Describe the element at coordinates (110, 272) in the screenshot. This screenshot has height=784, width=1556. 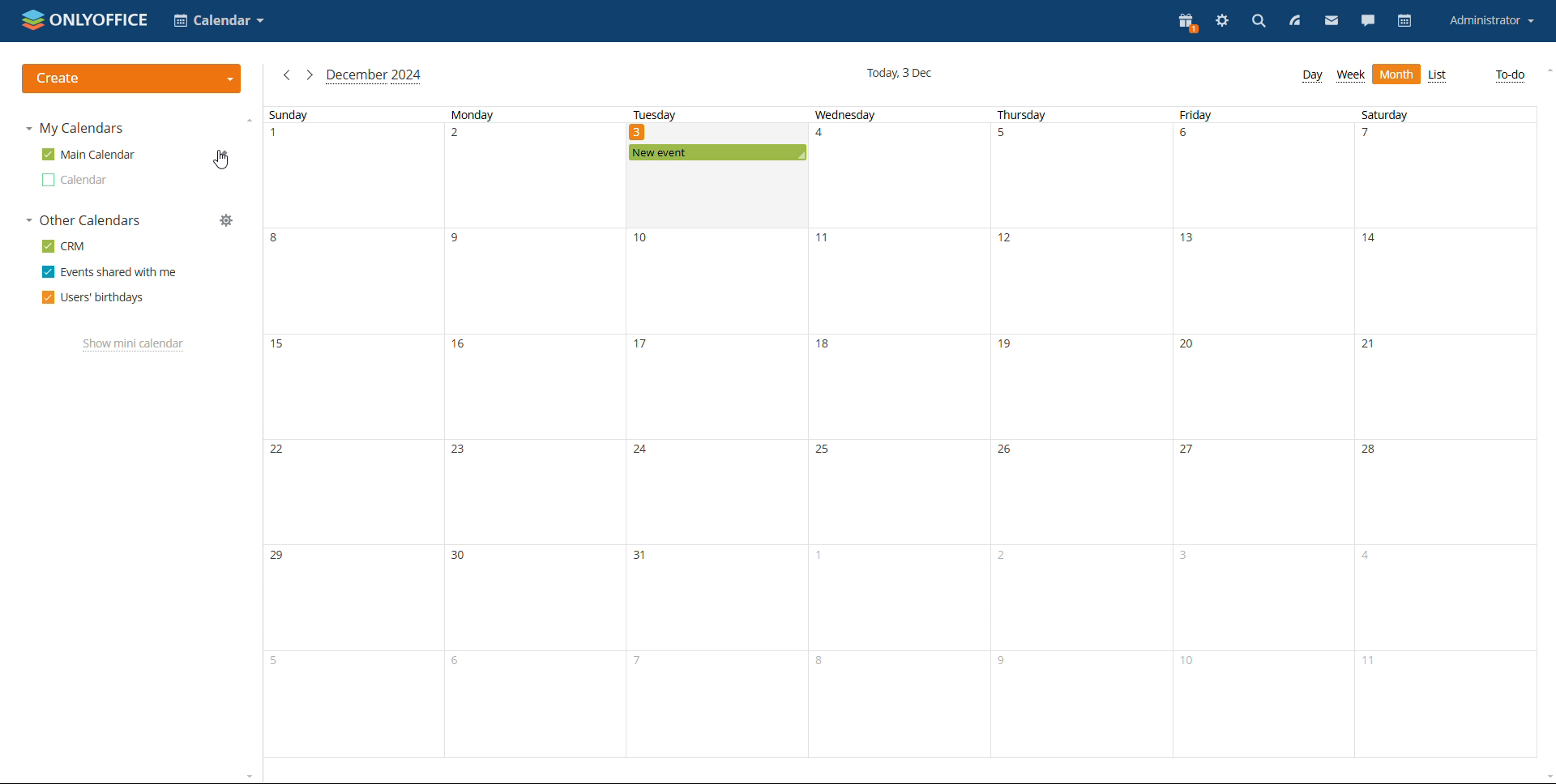
I see `events shared with me` at that location.